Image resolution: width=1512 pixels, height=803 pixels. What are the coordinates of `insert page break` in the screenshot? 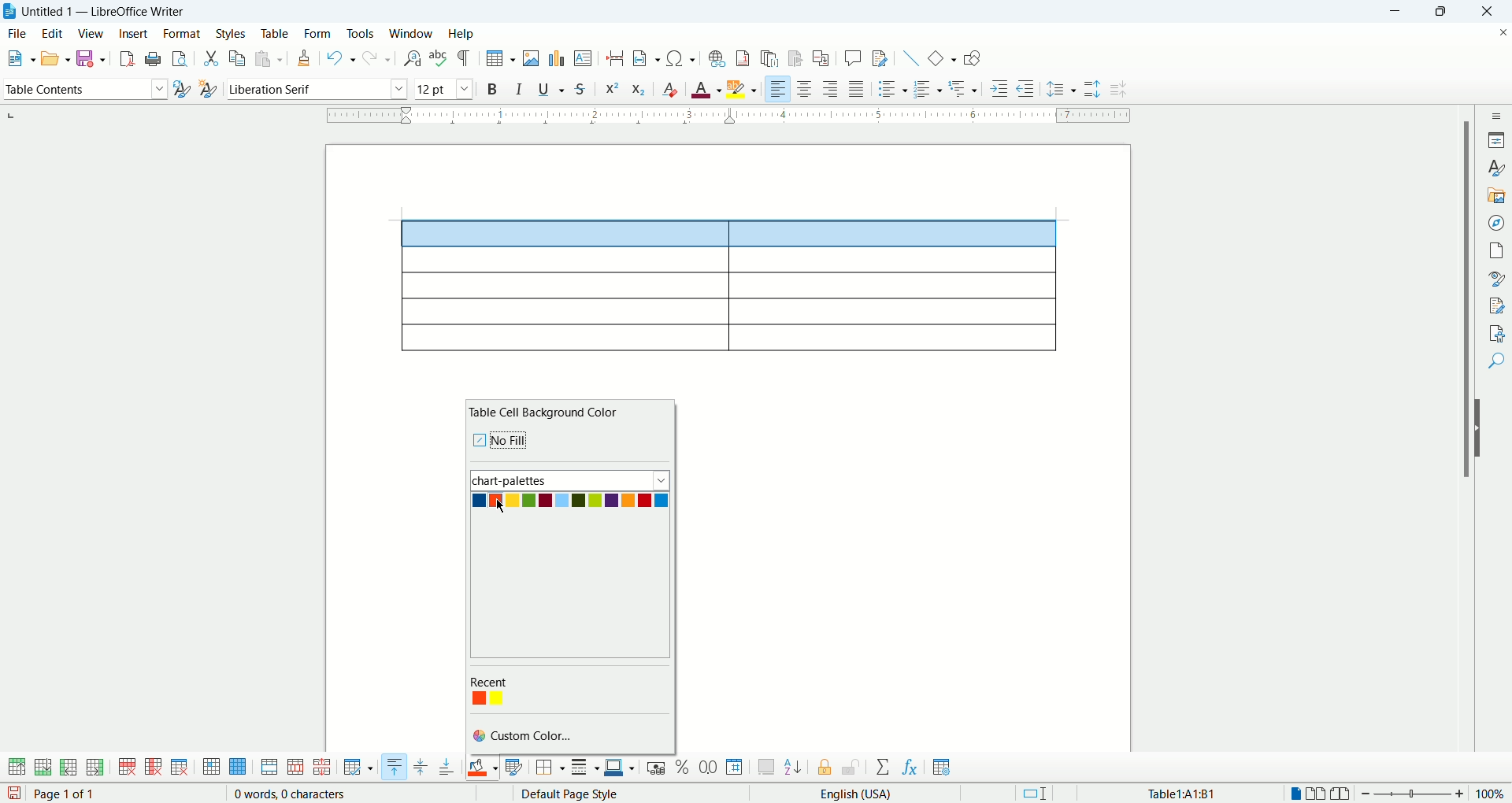 It's located at (619, 57).